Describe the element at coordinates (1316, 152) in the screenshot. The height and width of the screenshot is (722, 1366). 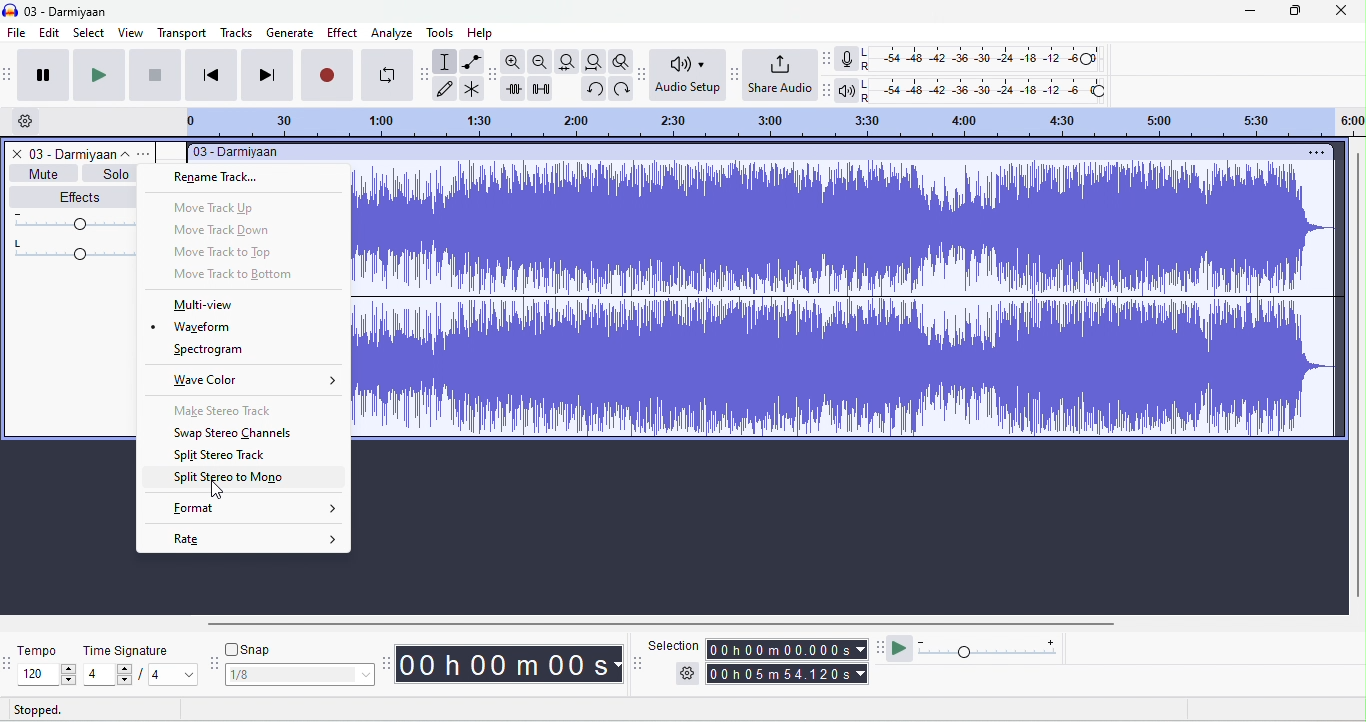
I see `options` at that location.